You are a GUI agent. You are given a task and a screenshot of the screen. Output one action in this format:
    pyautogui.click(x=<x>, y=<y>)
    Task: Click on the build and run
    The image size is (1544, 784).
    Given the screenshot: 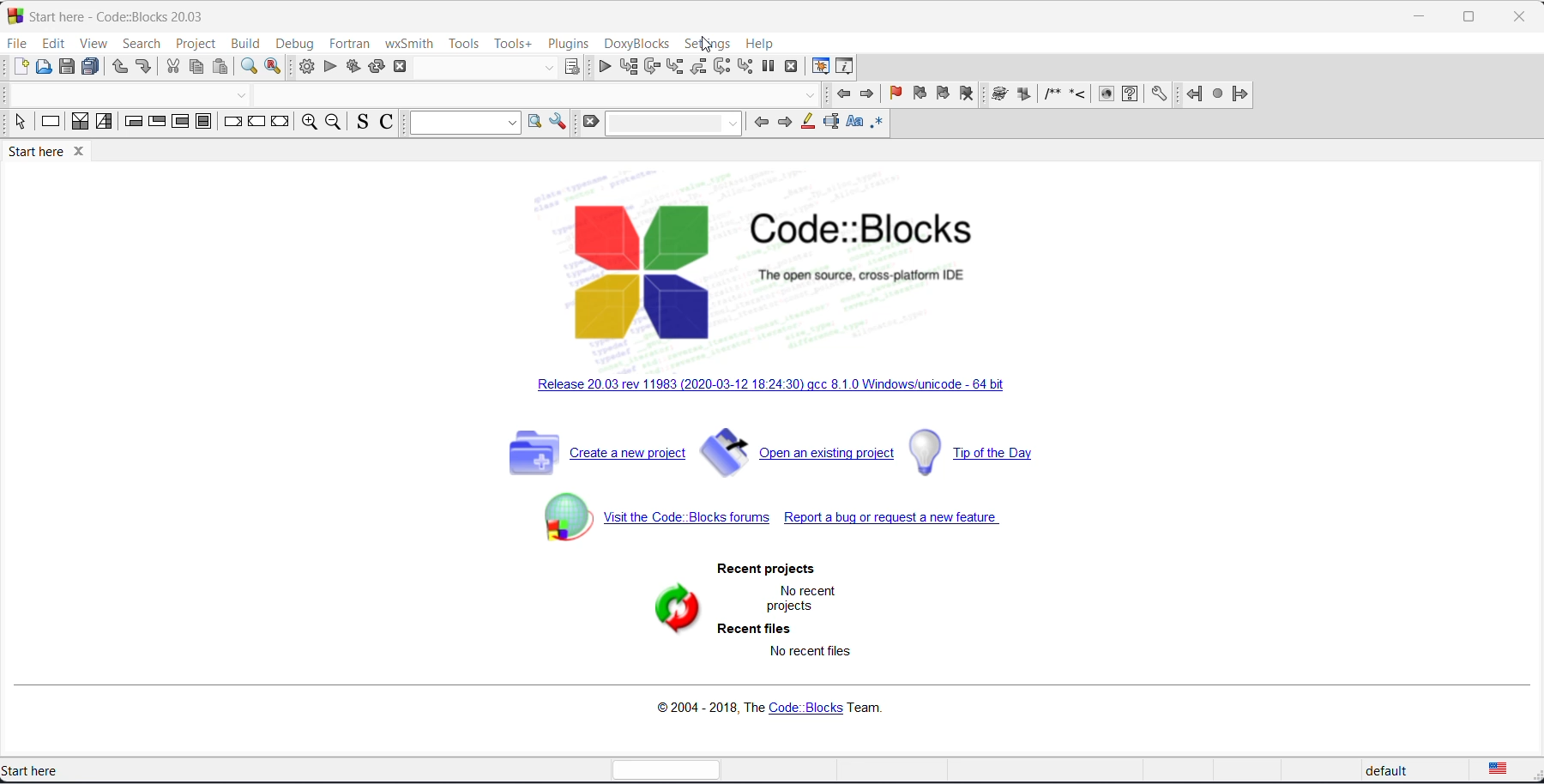 What is the action you would take?
    pyautogui.click(x=352, y=65)
    